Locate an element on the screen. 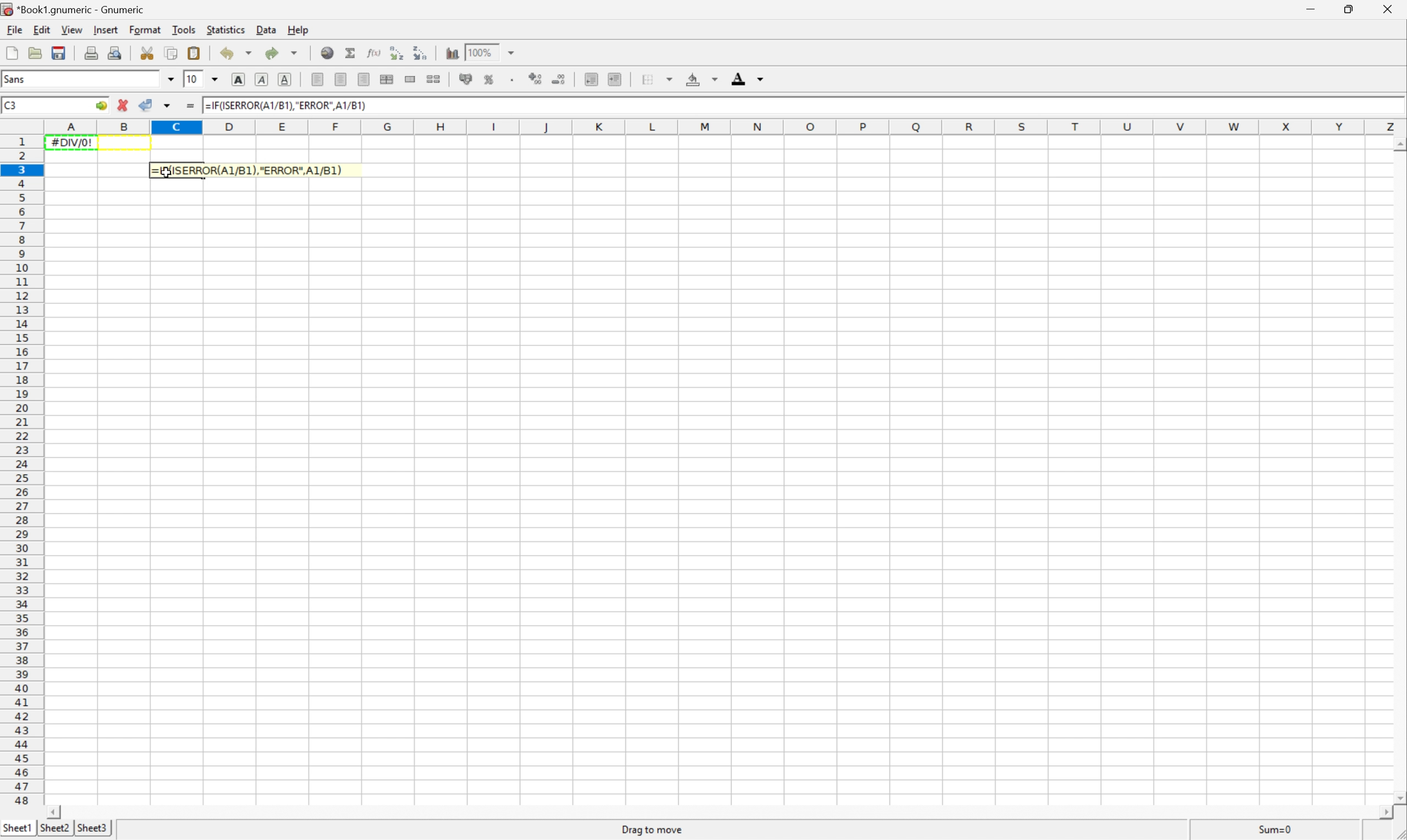  Save the current workbook is located at coordinates (60, 53).